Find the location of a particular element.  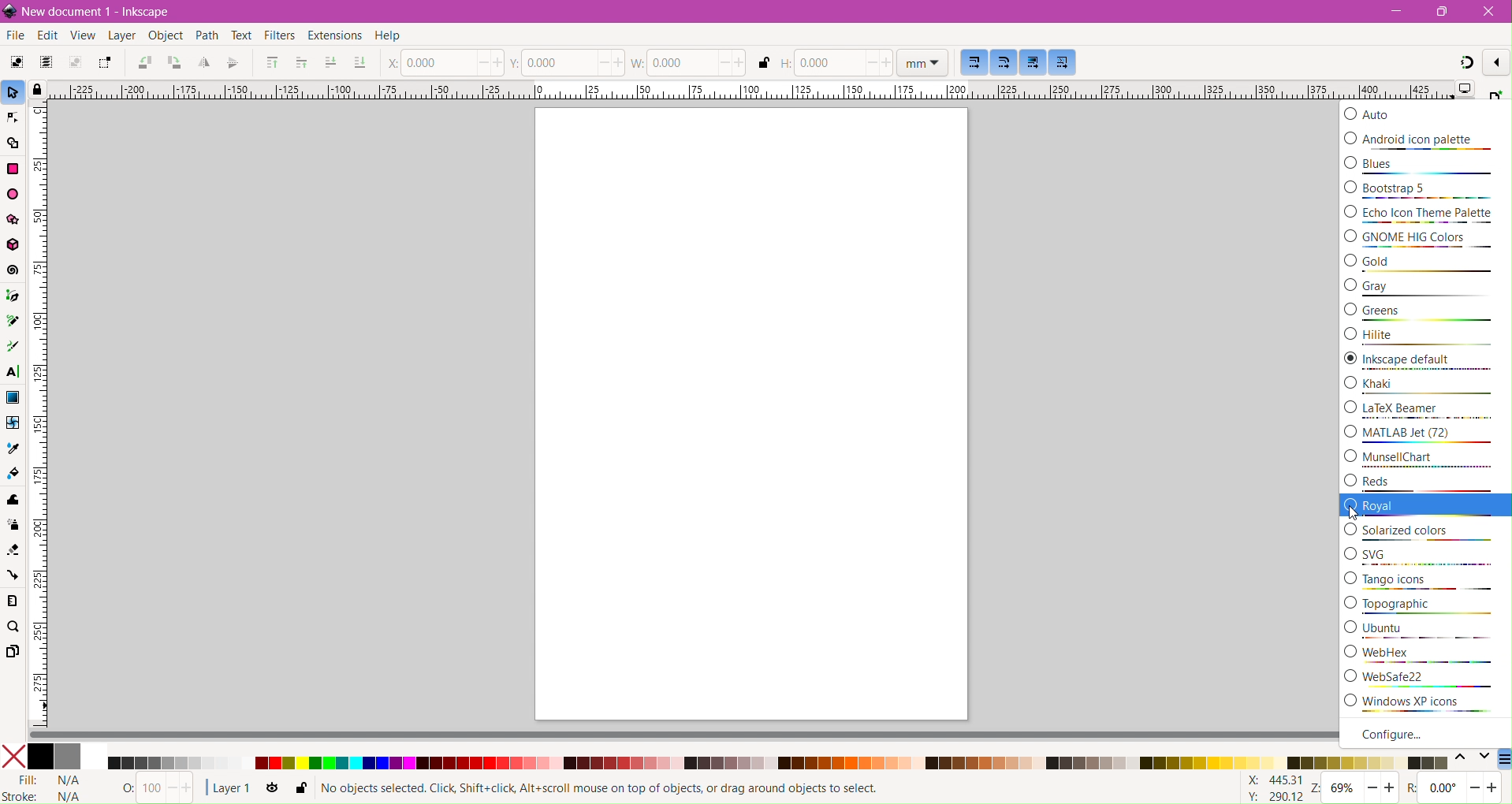

Colors is located at coordinates (54, 757).